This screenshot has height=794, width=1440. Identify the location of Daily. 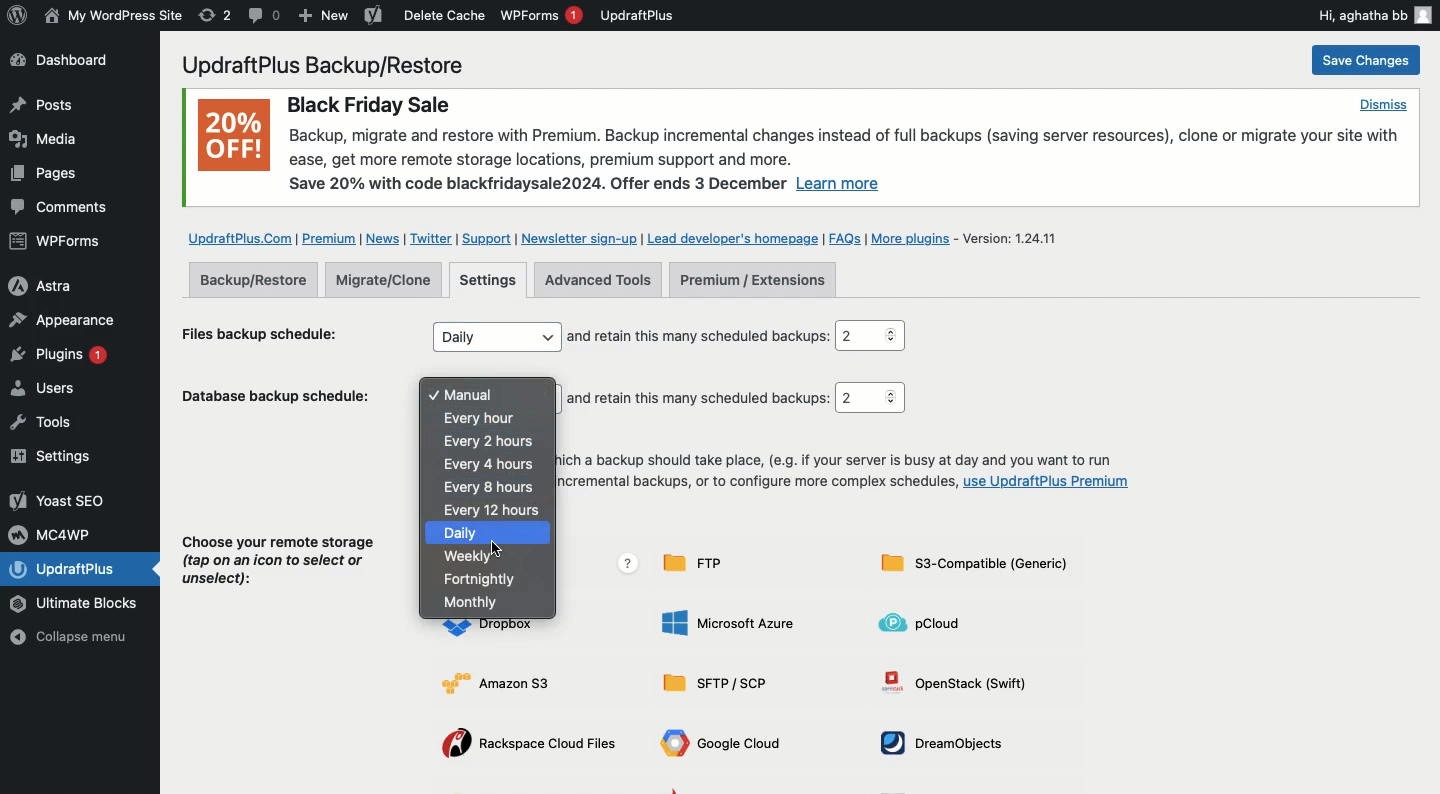
(495, 336).